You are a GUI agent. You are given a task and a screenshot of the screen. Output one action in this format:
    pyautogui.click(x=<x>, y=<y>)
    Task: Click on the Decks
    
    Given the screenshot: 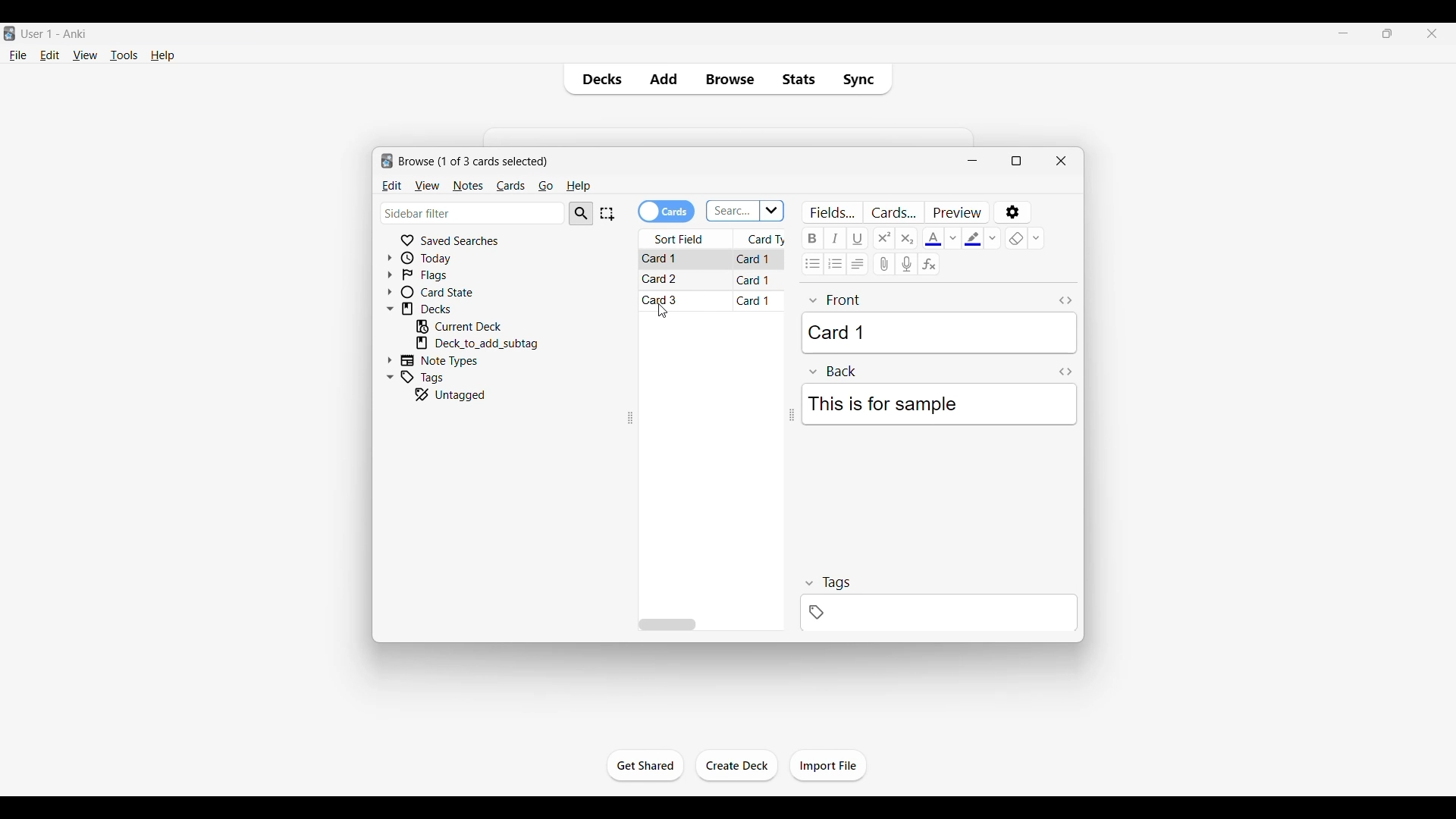 What is the action you would take?
    pyautogui.click(x=598, y=79)
    